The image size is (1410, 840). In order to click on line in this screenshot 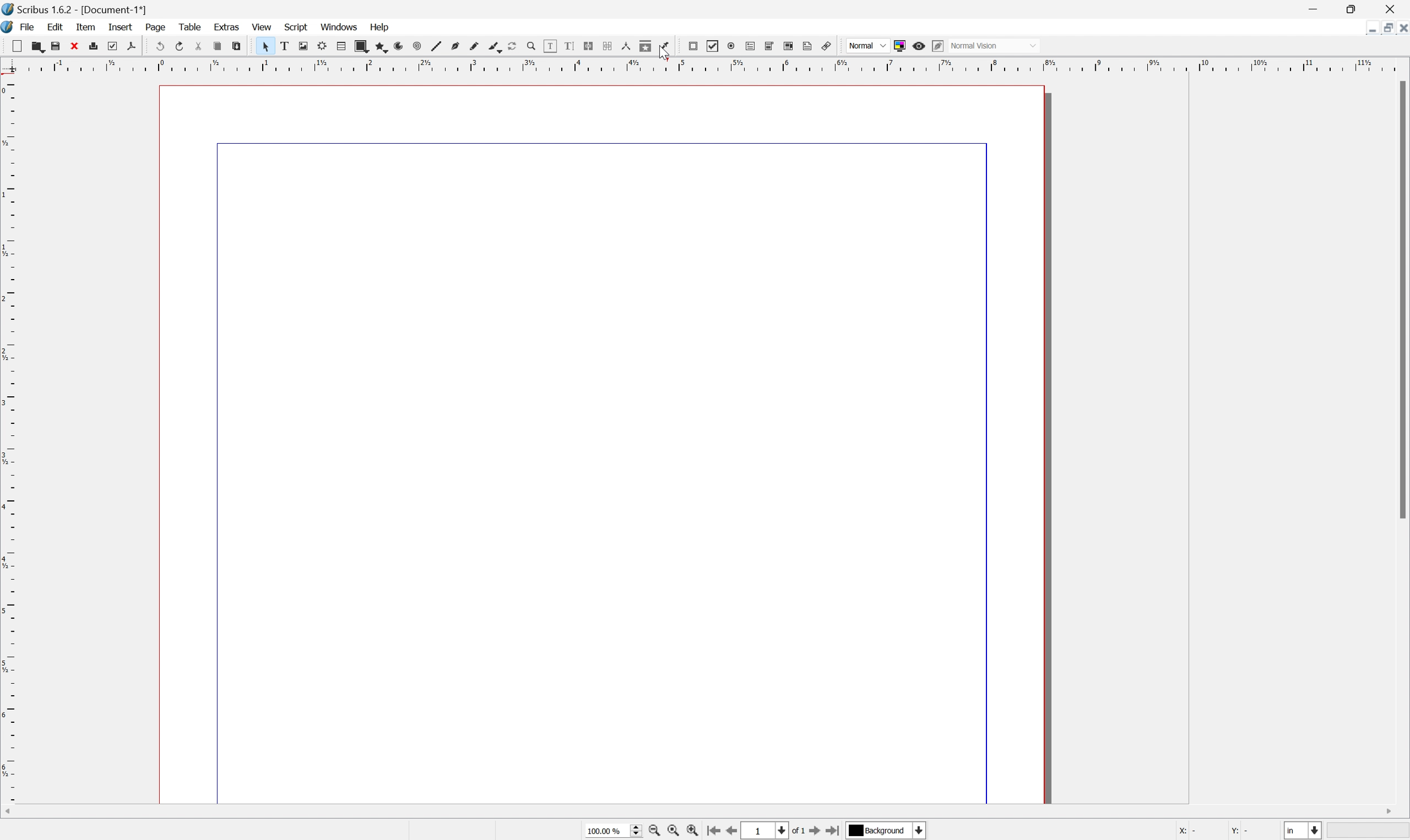, I will do `click(434, 47)`.